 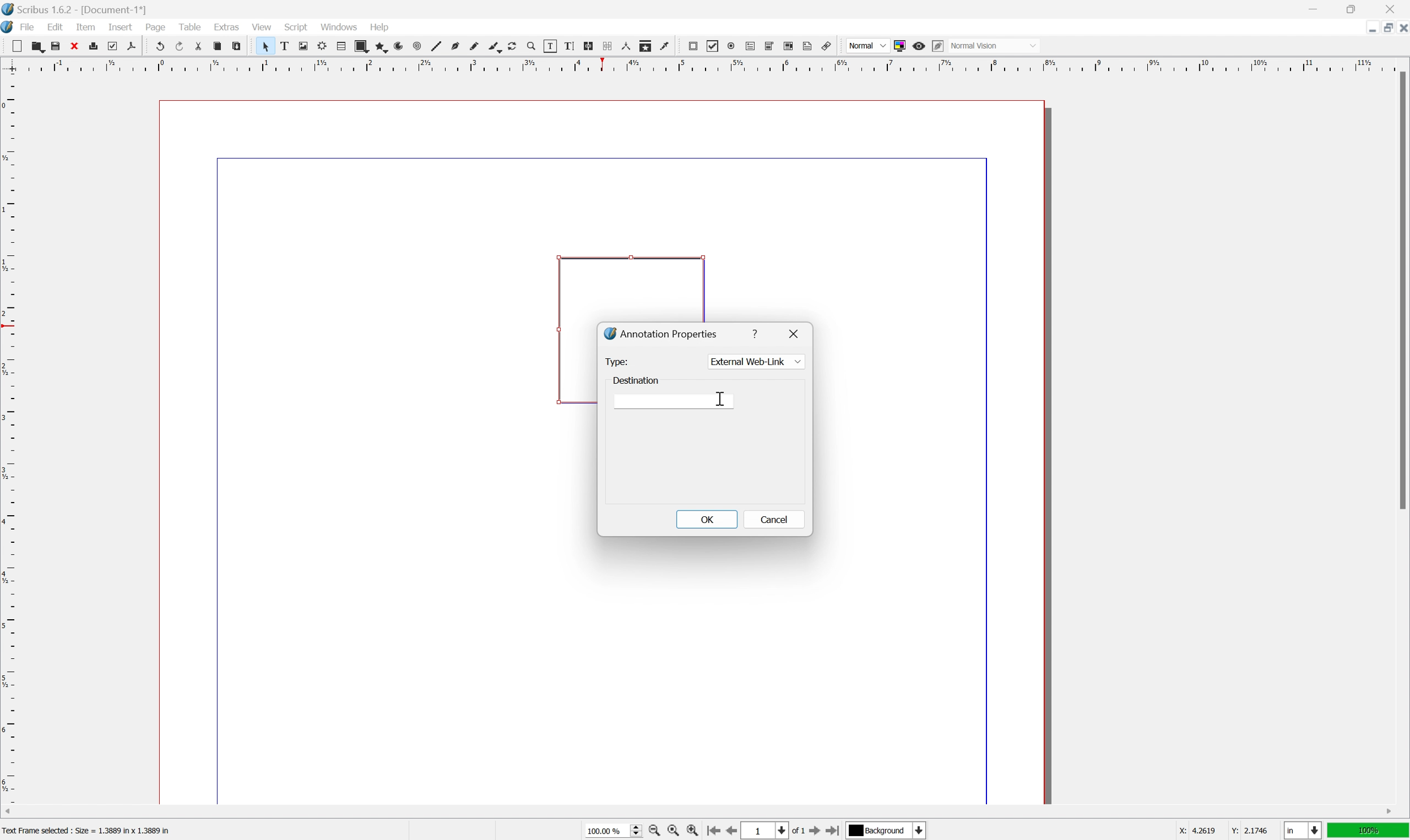 What do you see at coordinates (713, 832) in the screenshot?
I see `go to first page` at bounding box center [713, 832].